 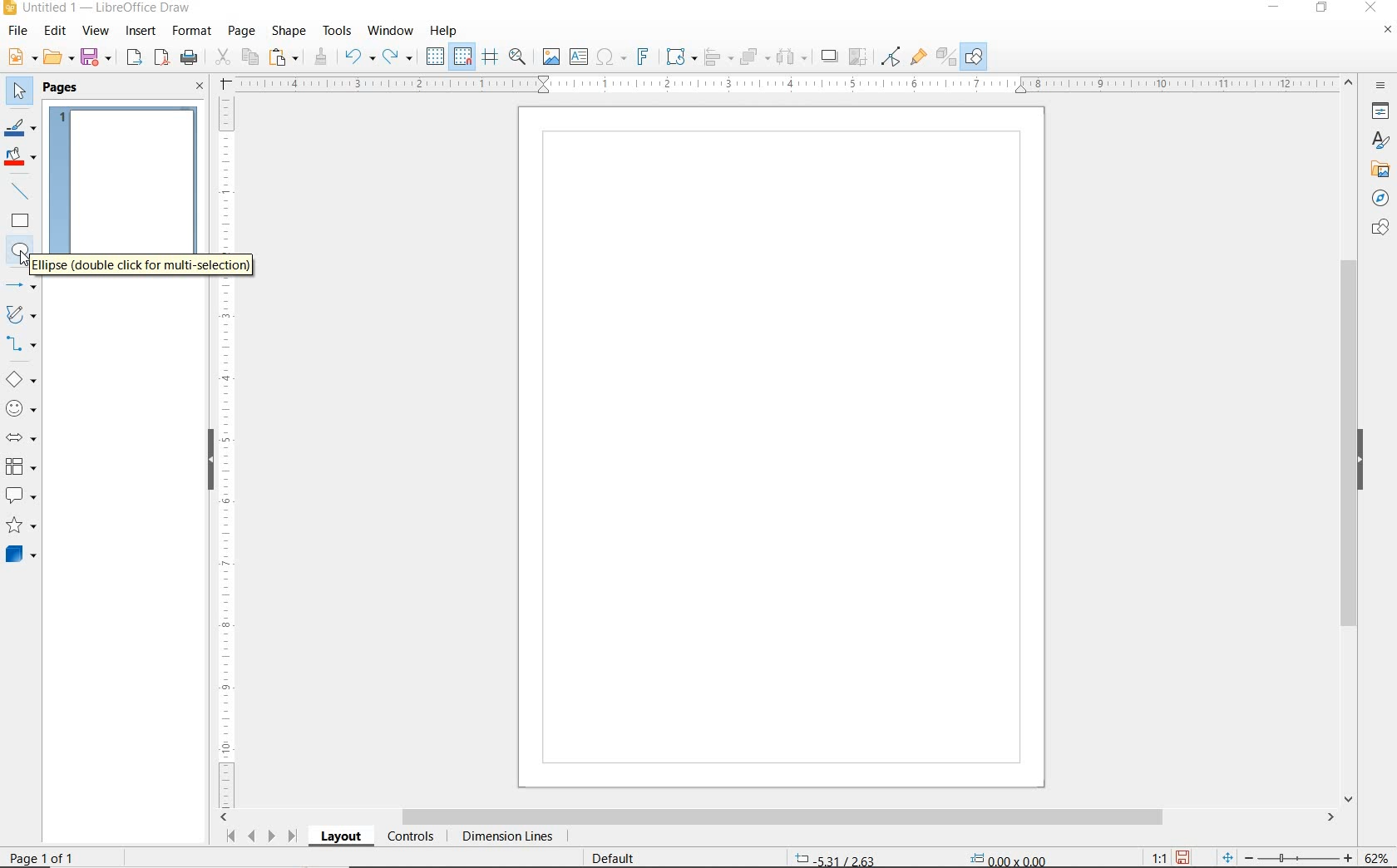 What do you see at coordinates (162, 59) in the screenshot?
I see `EXPORT AS PDF` at bounding box center [162, 59].